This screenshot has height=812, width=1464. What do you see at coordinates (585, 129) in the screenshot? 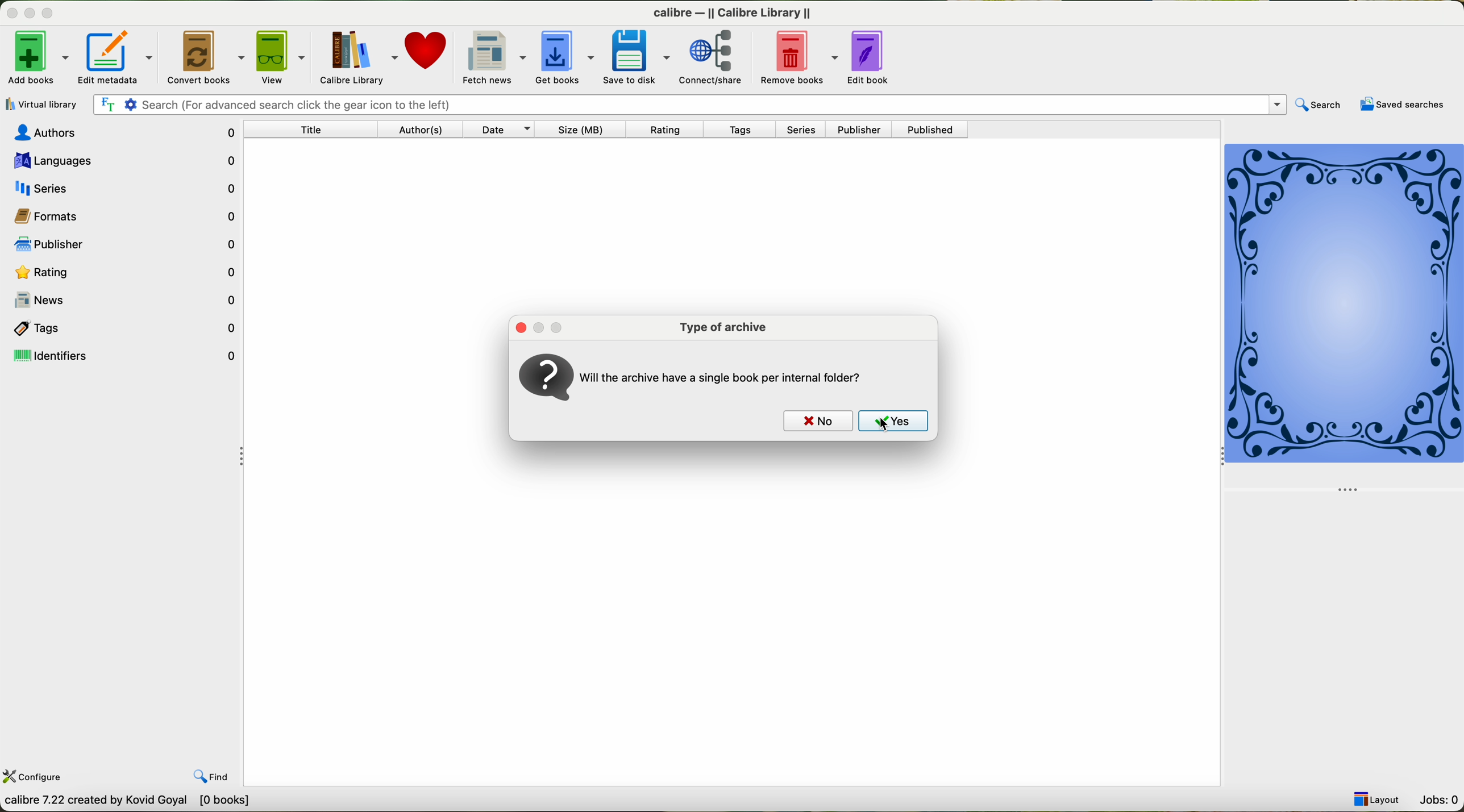
I see `size` at bounding box center [585, 129].